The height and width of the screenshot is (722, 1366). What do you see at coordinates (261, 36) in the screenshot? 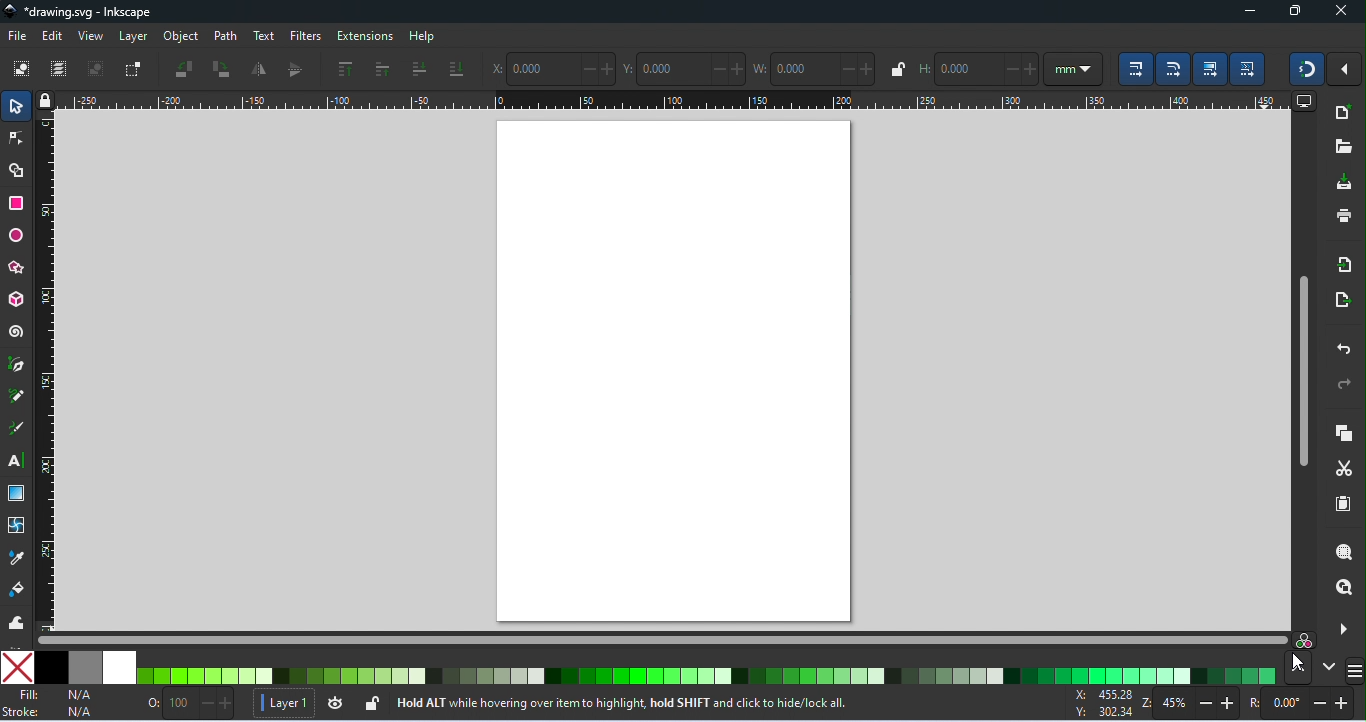
I see `text` at bounding box center [261, 36].